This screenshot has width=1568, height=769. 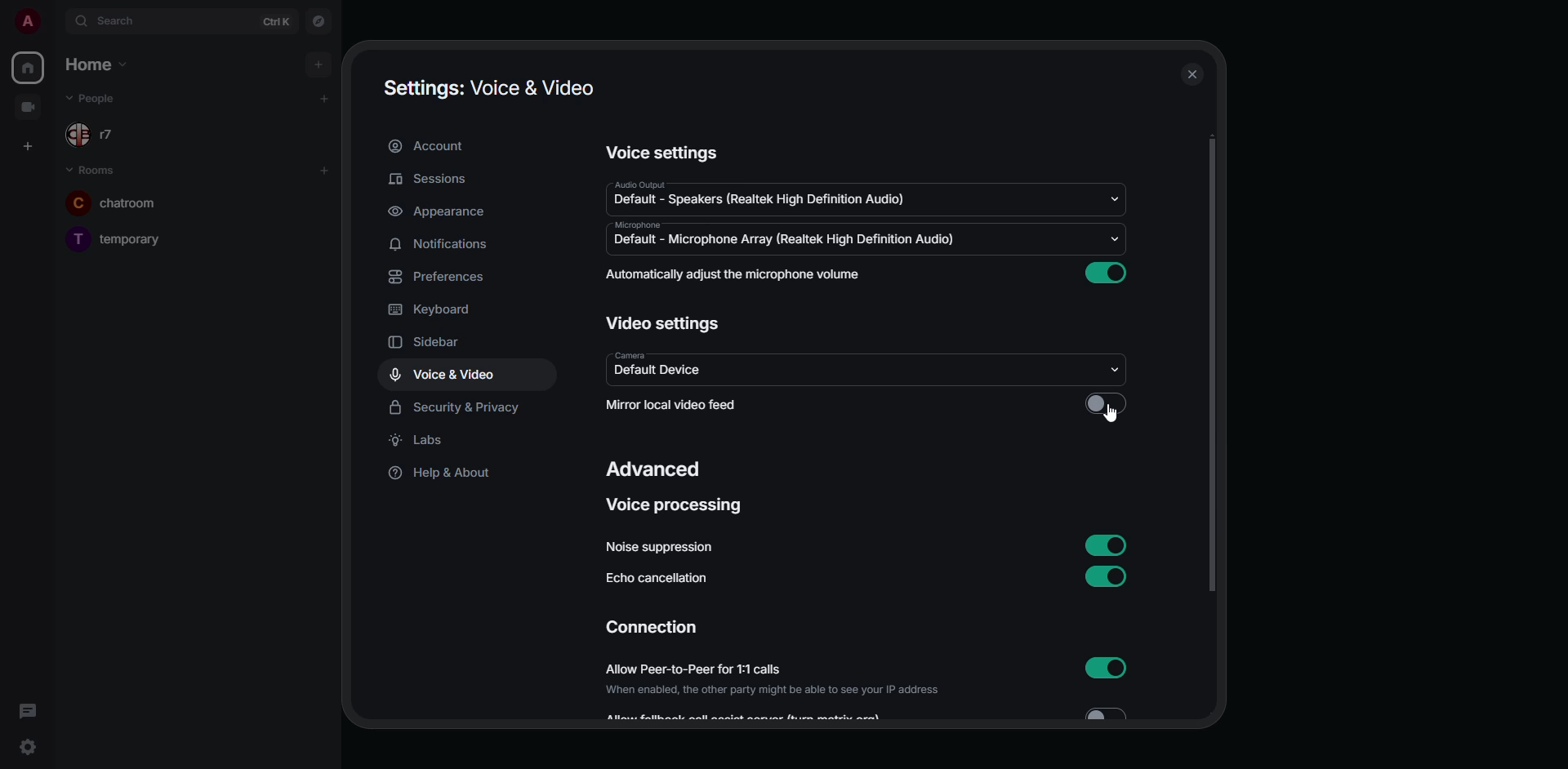 I want to click on camera, so click(x=629, y=356).